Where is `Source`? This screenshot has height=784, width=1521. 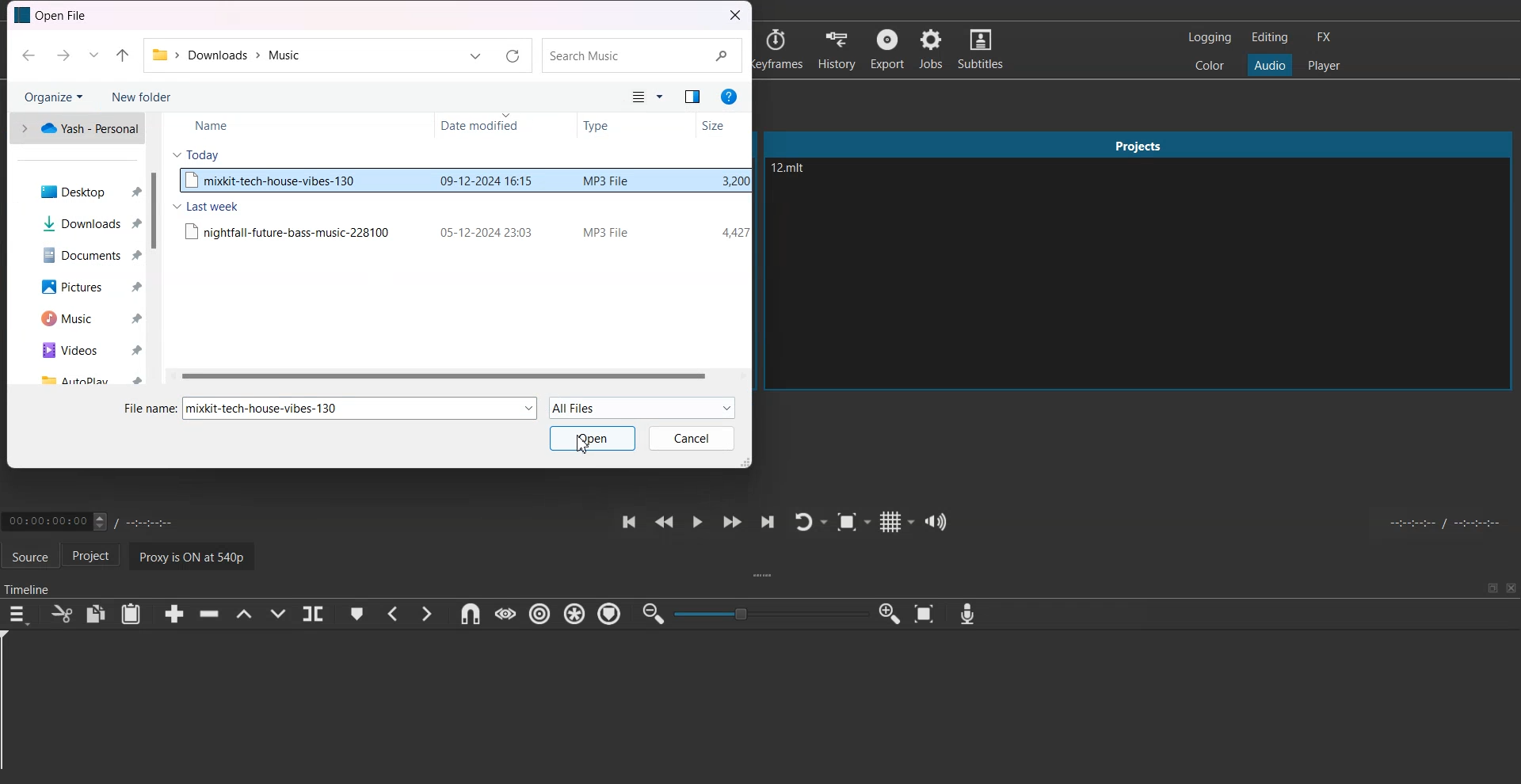 Source is located at coordinates (29, 554).